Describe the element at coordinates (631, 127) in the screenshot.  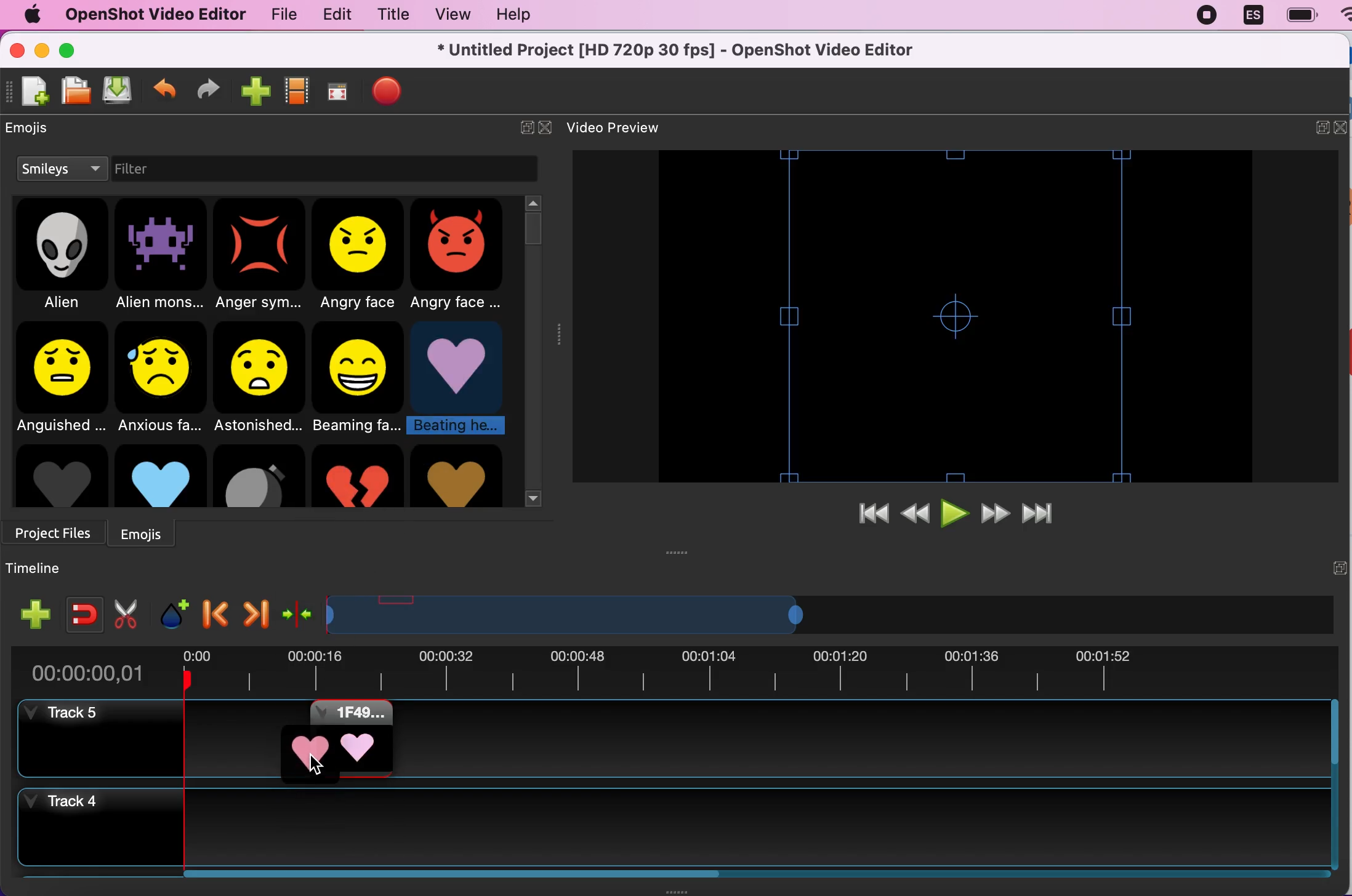
I see `video preview` at that location.